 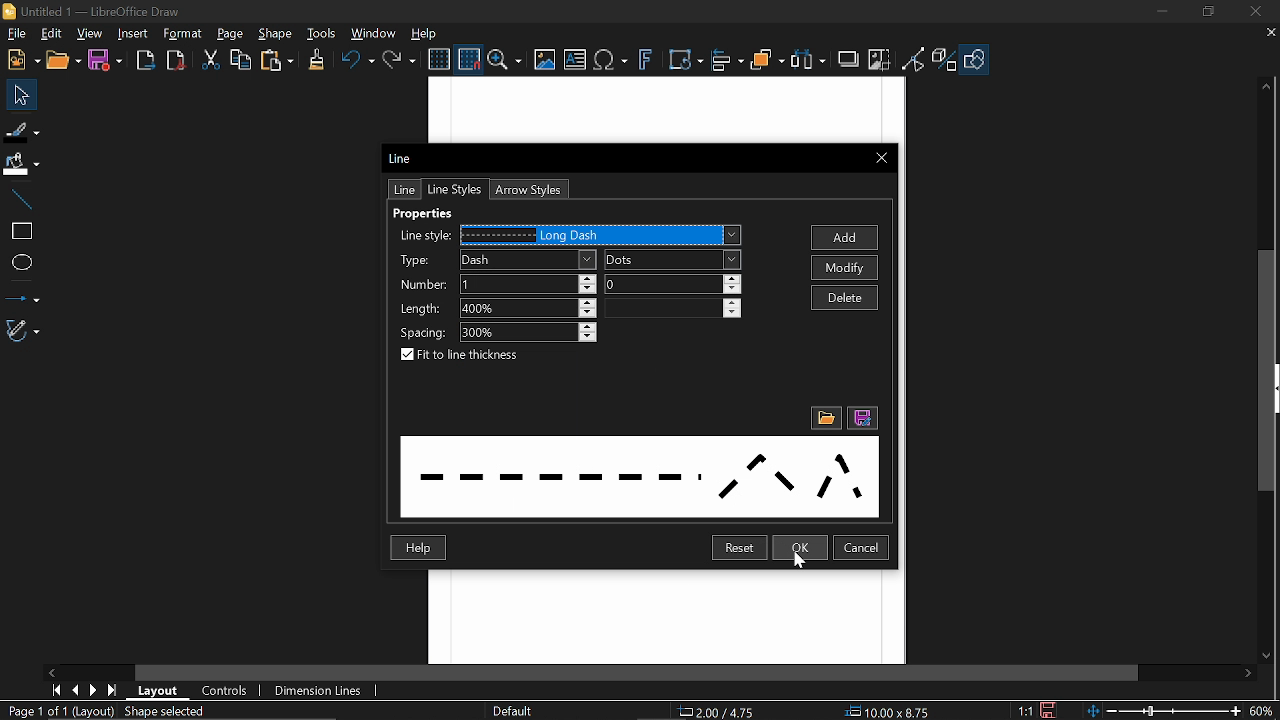 What do you see at coordinates (319, 690) in the screenshot?
I see `Dimension lines` at bounding box center [319, 690].